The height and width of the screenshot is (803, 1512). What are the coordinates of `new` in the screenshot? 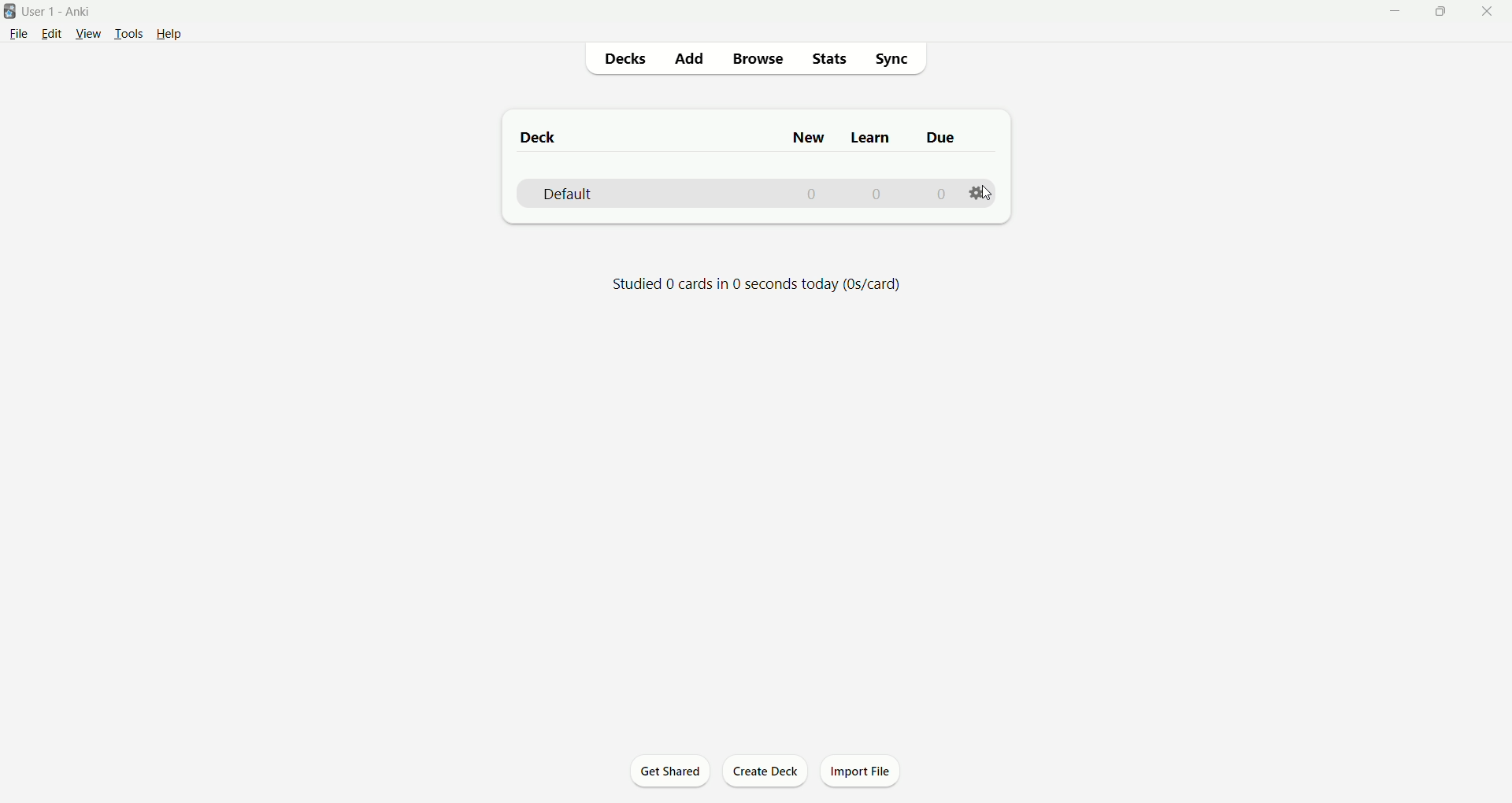 It's located at (810, 137).